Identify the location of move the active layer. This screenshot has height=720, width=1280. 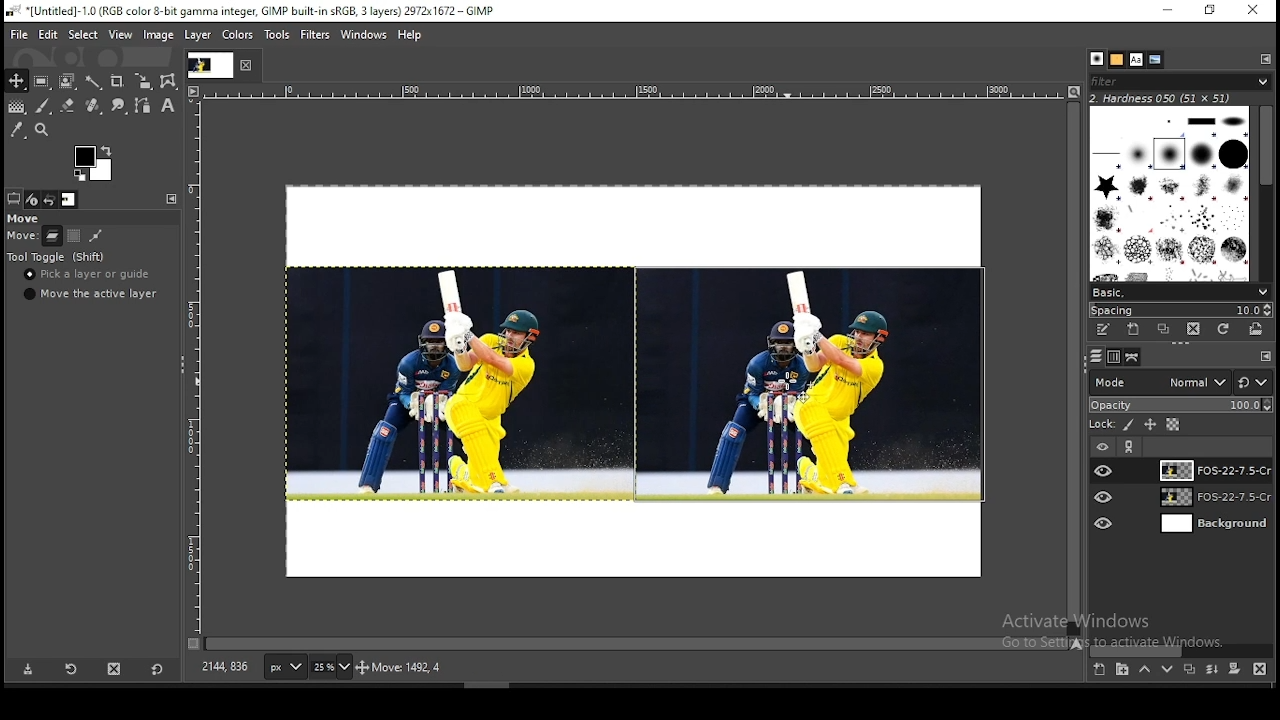
(88, 294).